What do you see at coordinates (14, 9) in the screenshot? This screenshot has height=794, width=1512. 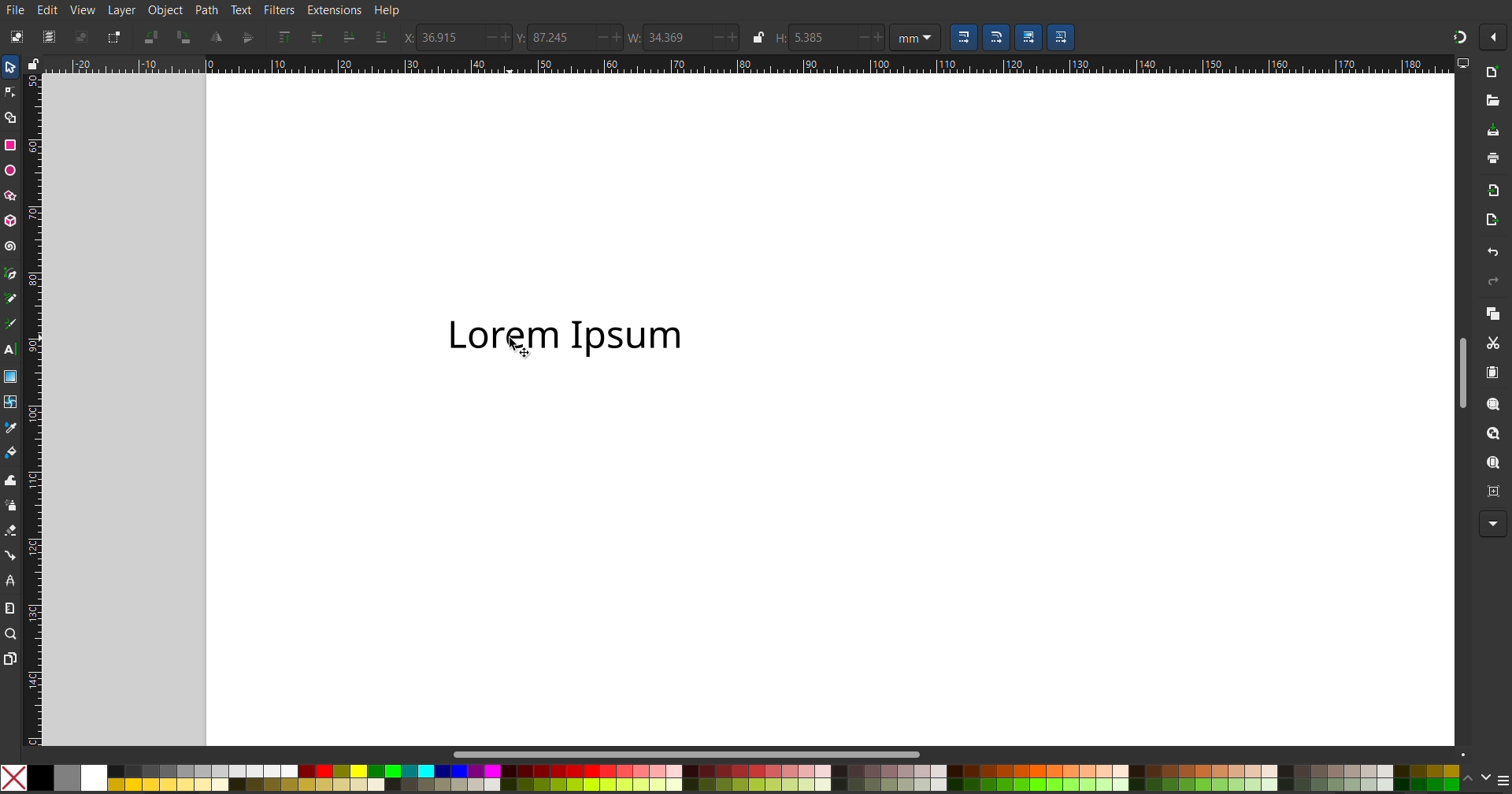 I see `FIle` at bounding box center [14, 9].